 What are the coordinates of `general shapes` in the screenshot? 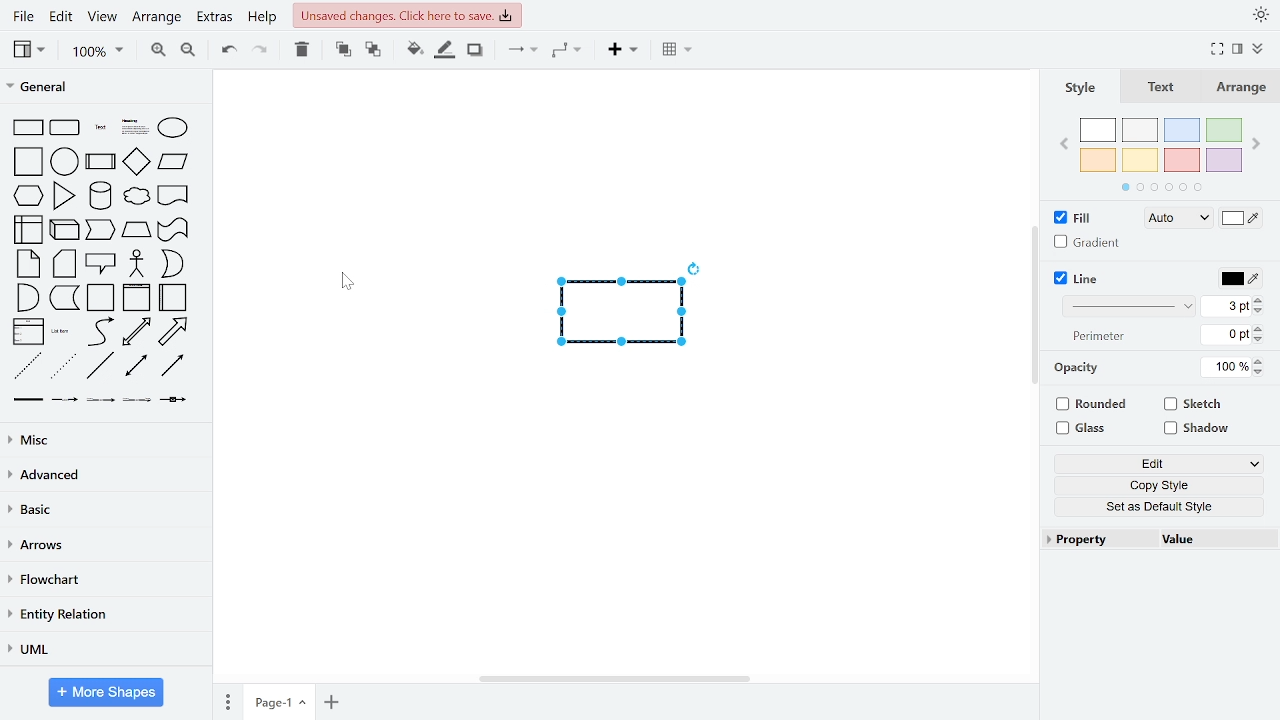 It's located at (98, 195).